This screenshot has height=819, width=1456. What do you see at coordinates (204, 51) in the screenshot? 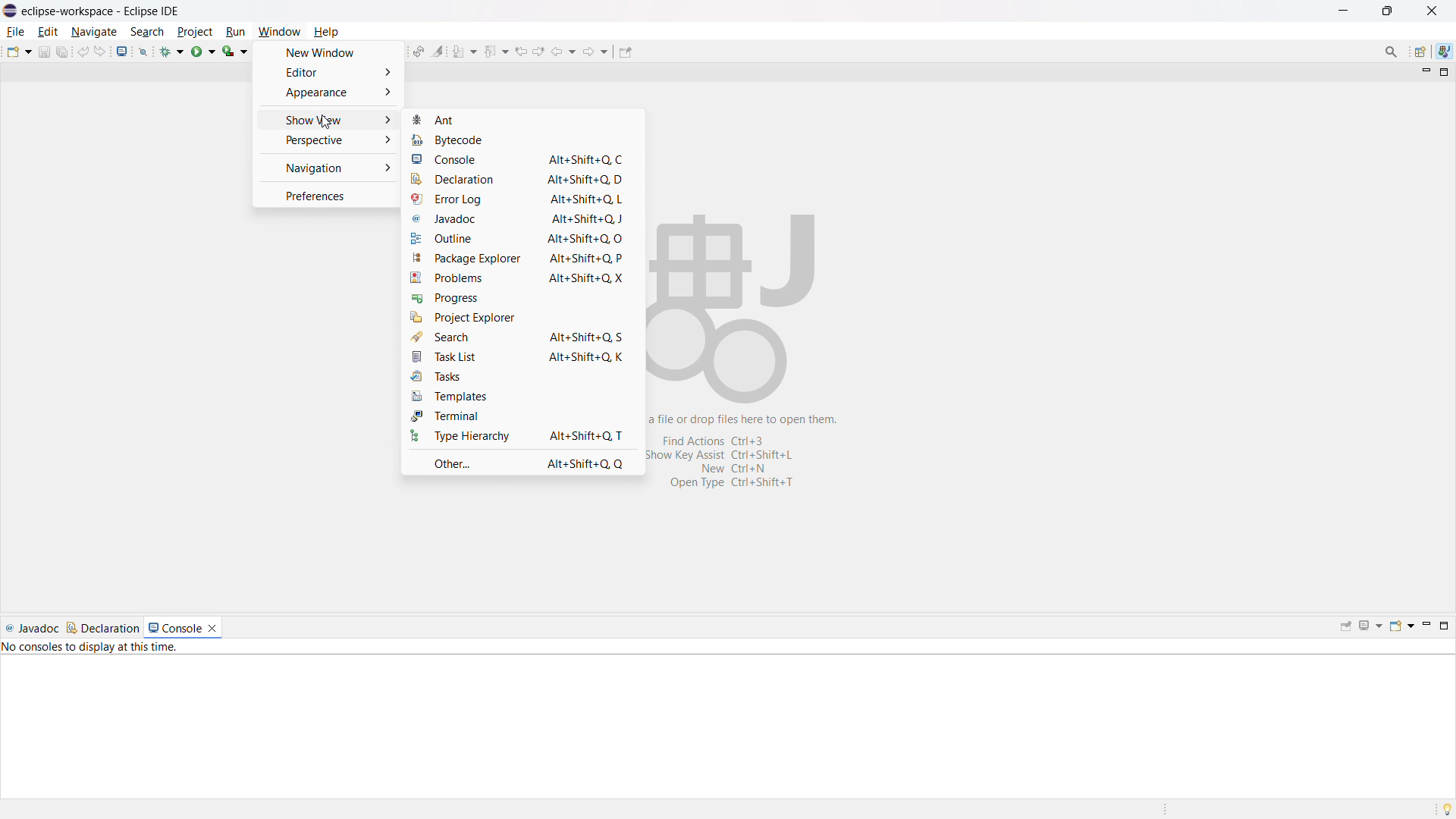
I see `run` at bounding box center [204, 51].